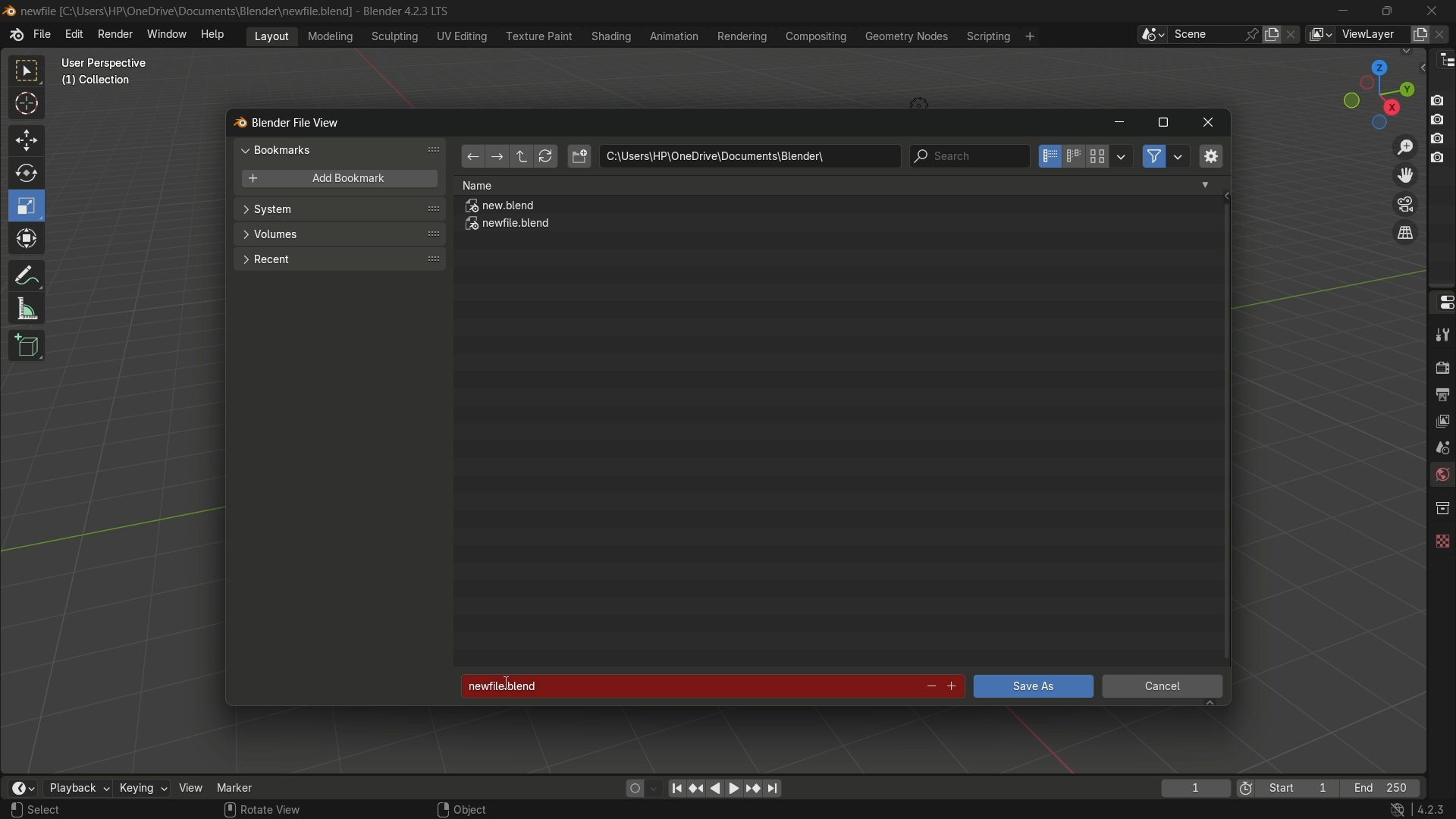 This screenshot has width=1456, height=819. I want to click on current frame, so click(1194, 788).